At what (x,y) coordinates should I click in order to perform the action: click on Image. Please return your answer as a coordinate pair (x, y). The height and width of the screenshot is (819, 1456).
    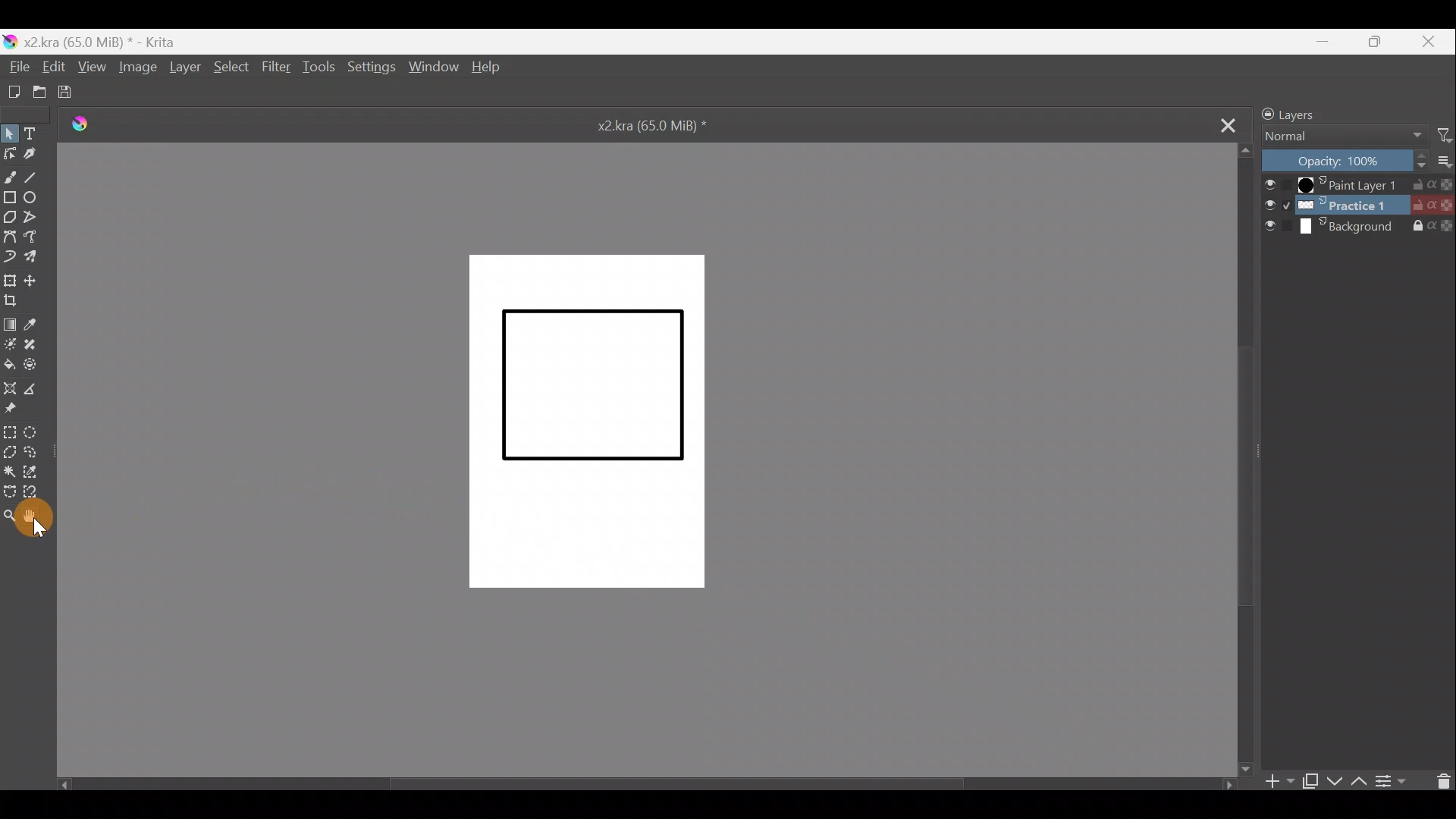
    Looking at the image, I should click on (140, 71).